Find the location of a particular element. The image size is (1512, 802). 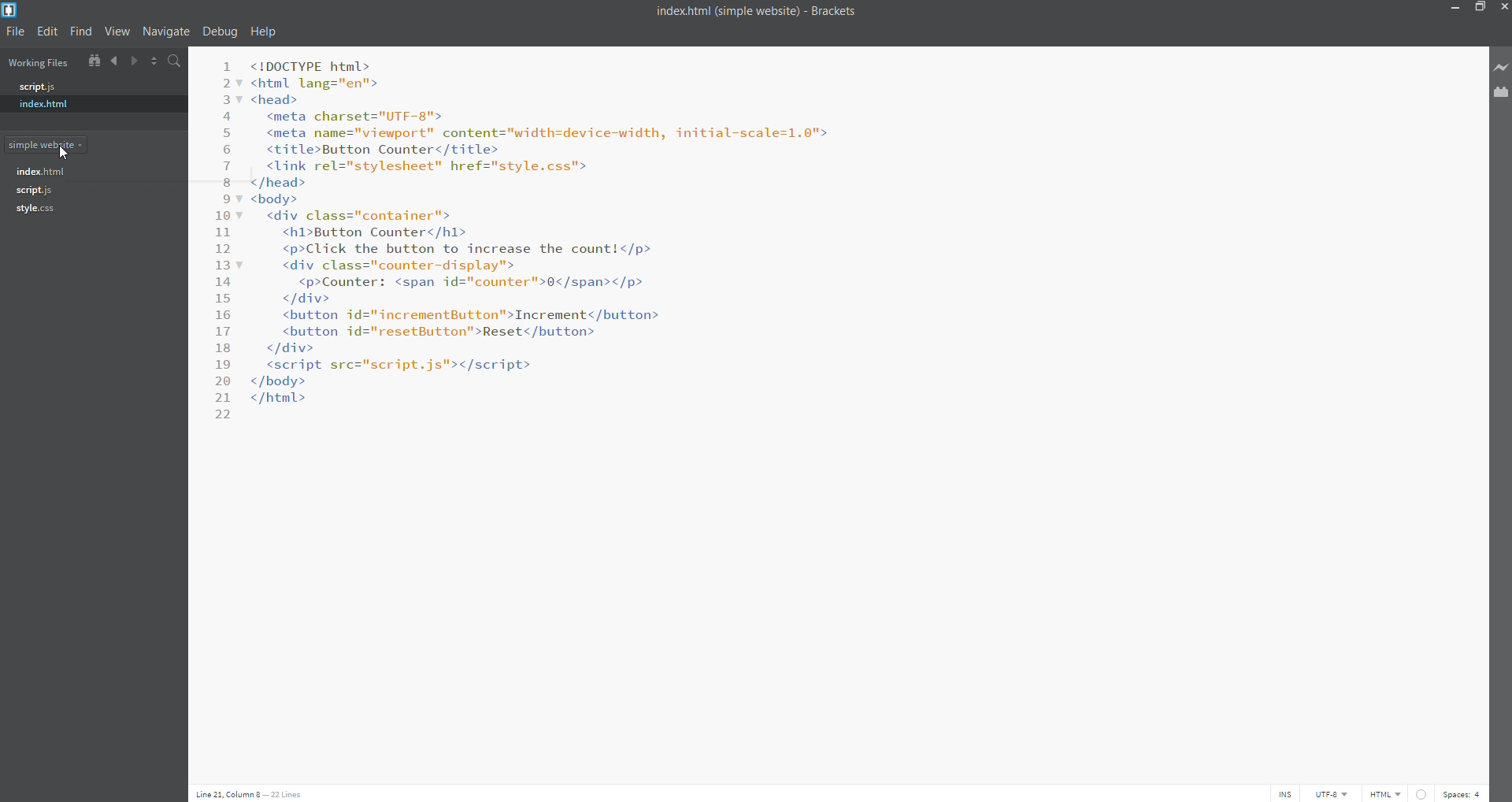

extension manager is located at coordinates (1502, 94).